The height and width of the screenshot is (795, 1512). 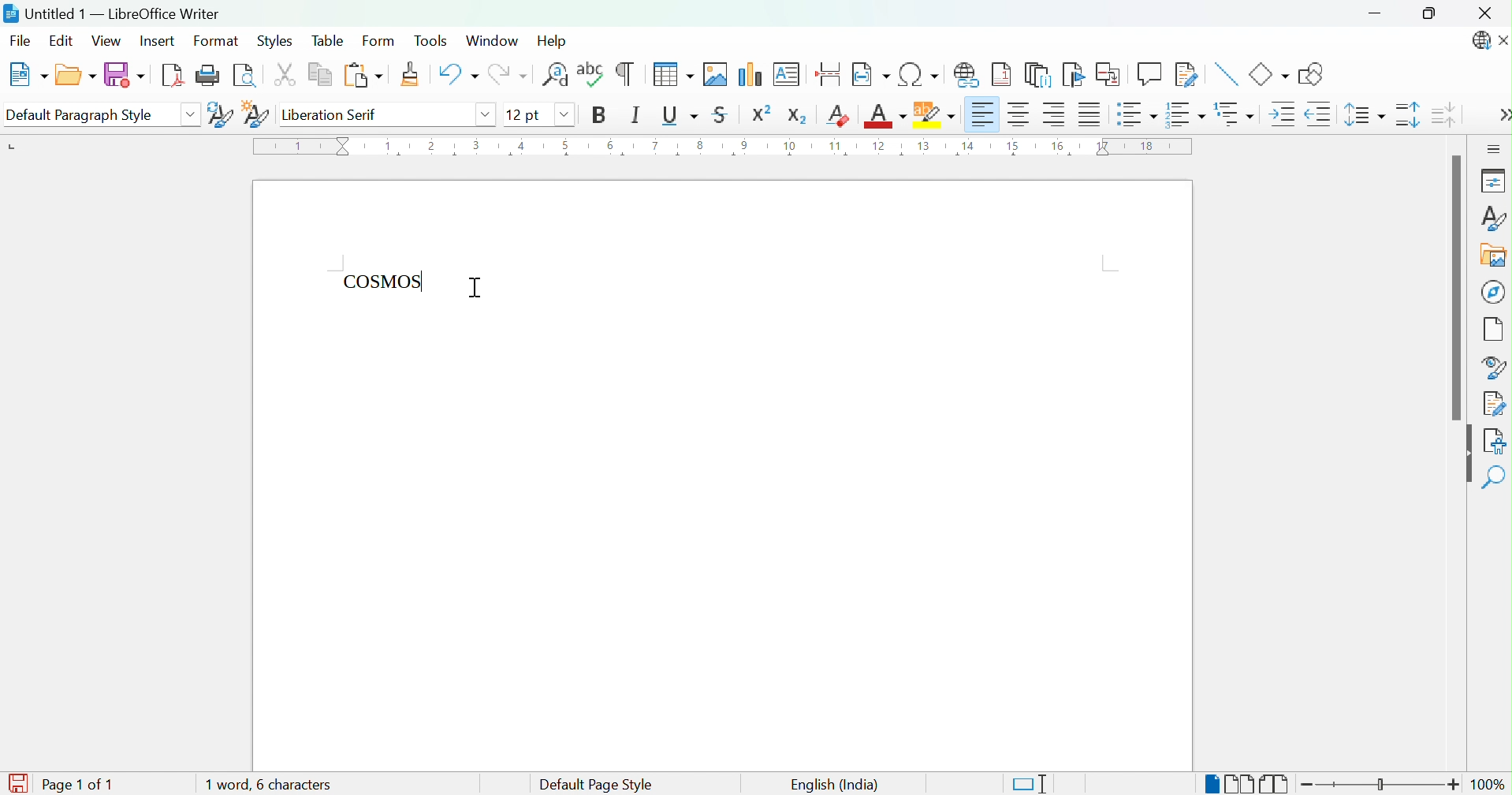 I want to click on Insert Cross-reference, so click(x=1108, y=74).